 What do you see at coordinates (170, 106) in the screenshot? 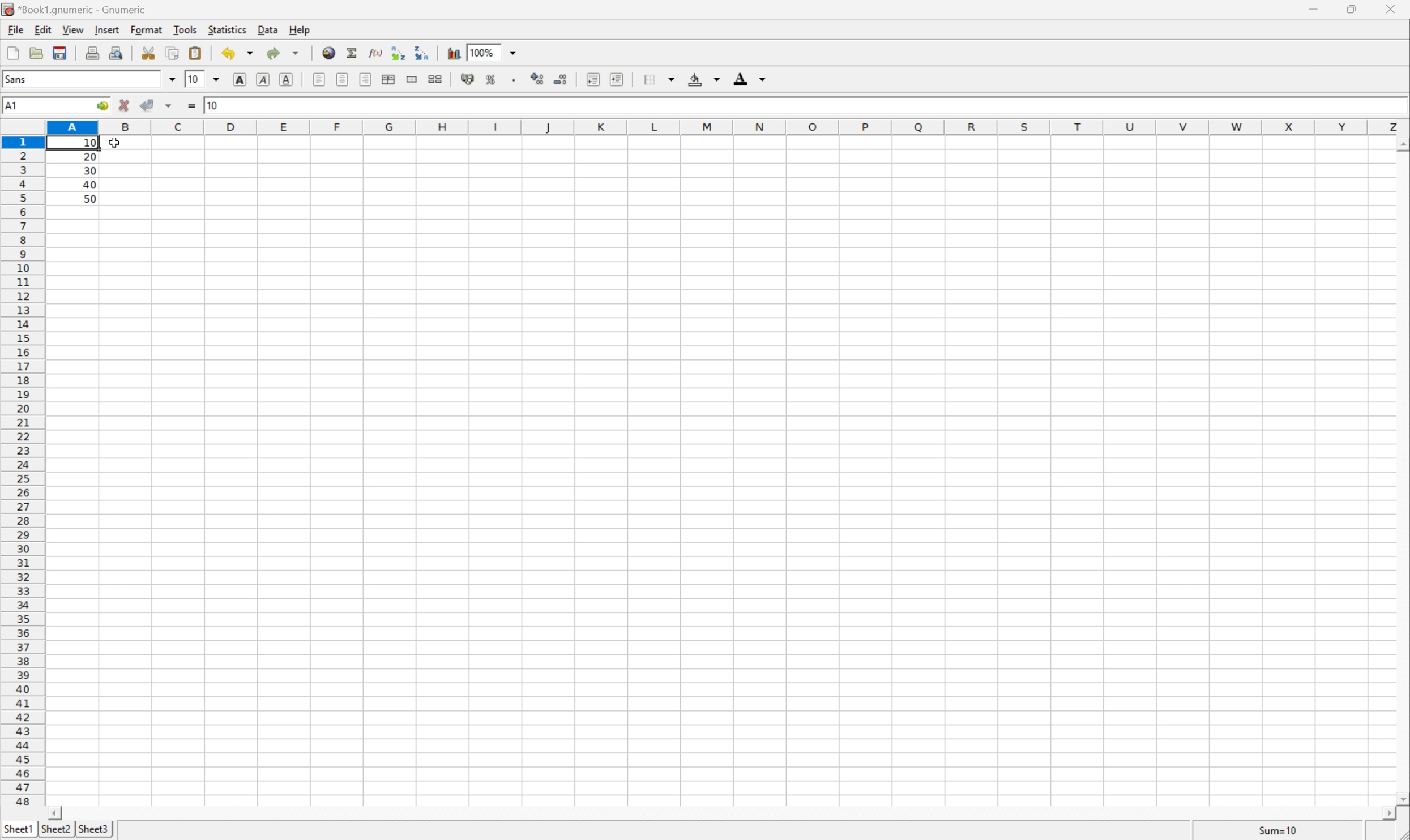
I see `Accept changes in multiple cells` at bounding box center [170, 106].